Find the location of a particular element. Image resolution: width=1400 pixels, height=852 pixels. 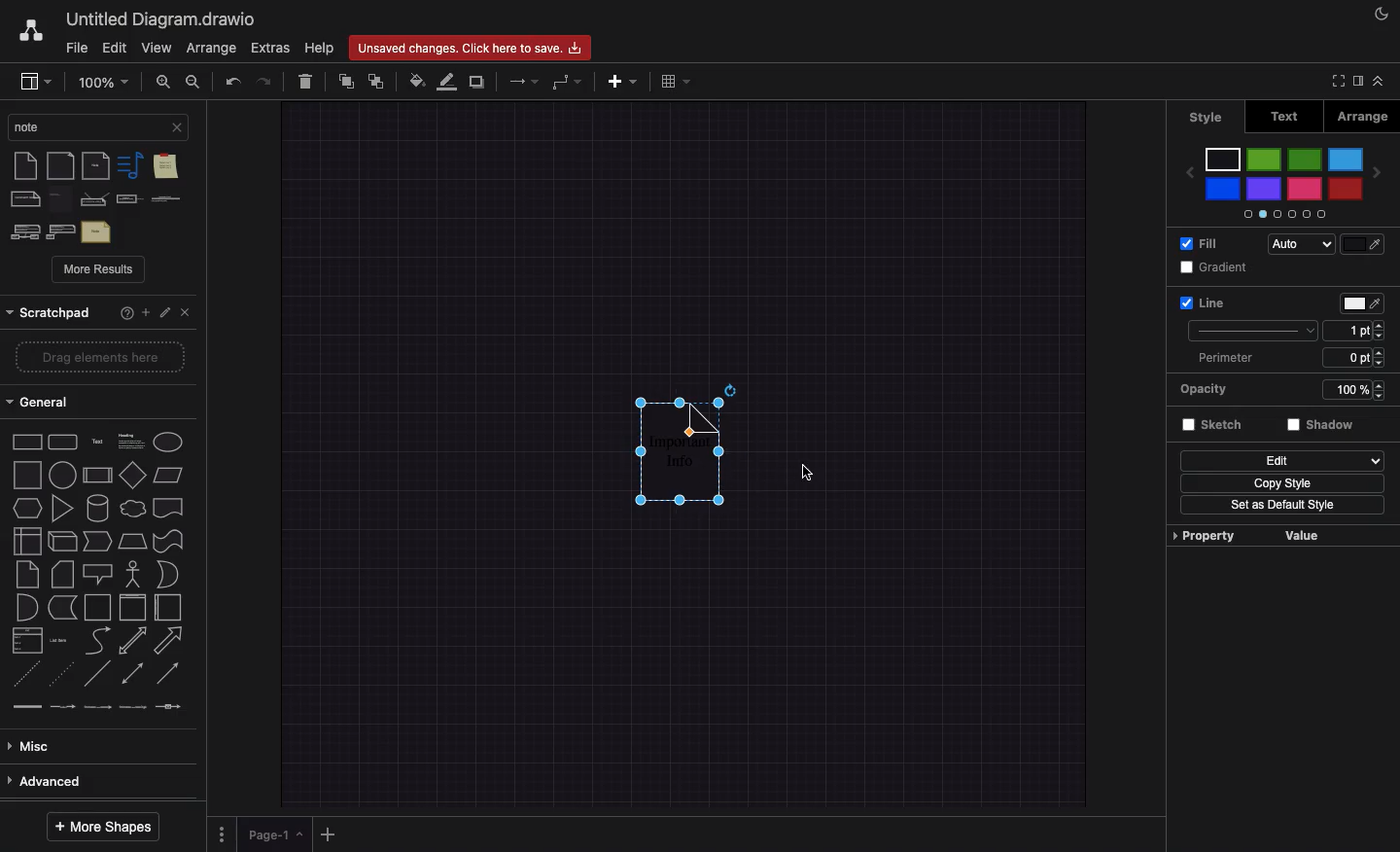

Table is located at coordinates (675, 80).